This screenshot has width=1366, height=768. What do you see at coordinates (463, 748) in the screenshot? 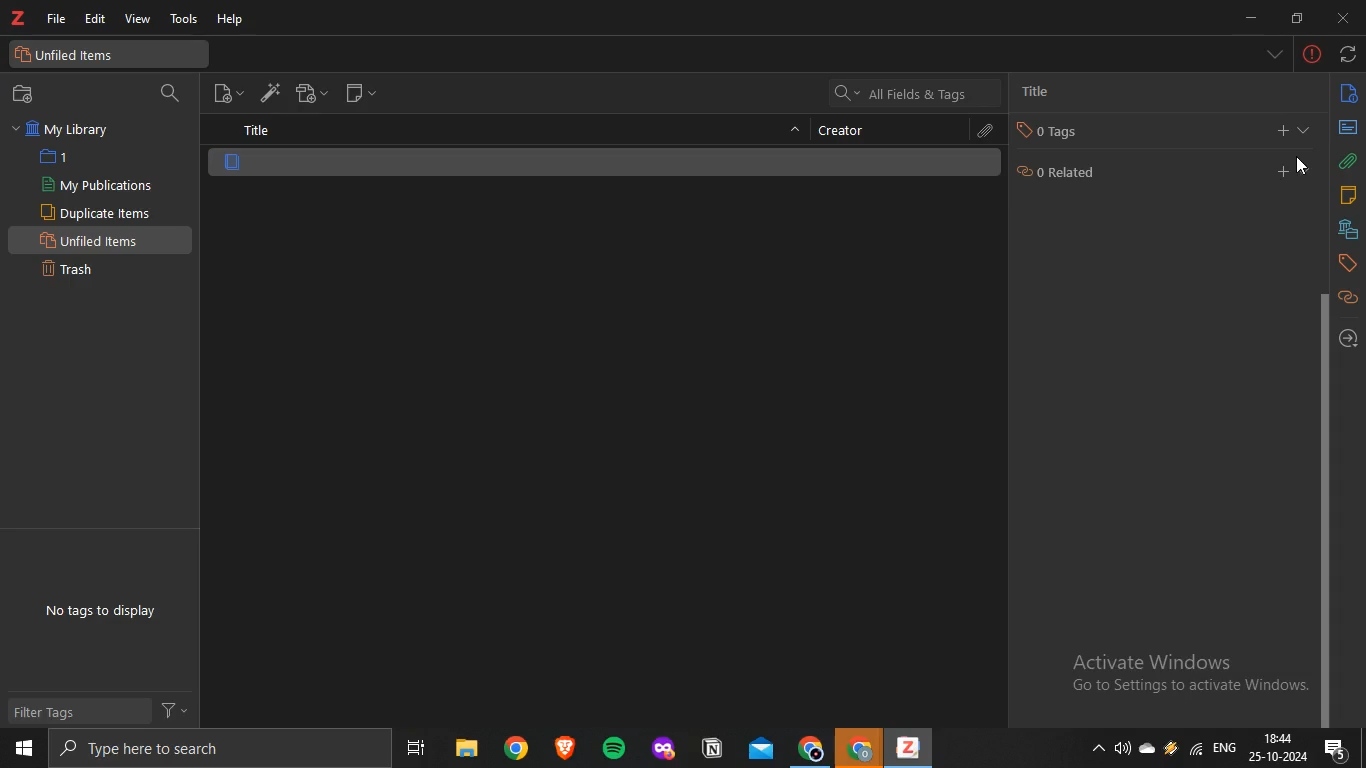
I see `files` at bounding box center [463, 748].